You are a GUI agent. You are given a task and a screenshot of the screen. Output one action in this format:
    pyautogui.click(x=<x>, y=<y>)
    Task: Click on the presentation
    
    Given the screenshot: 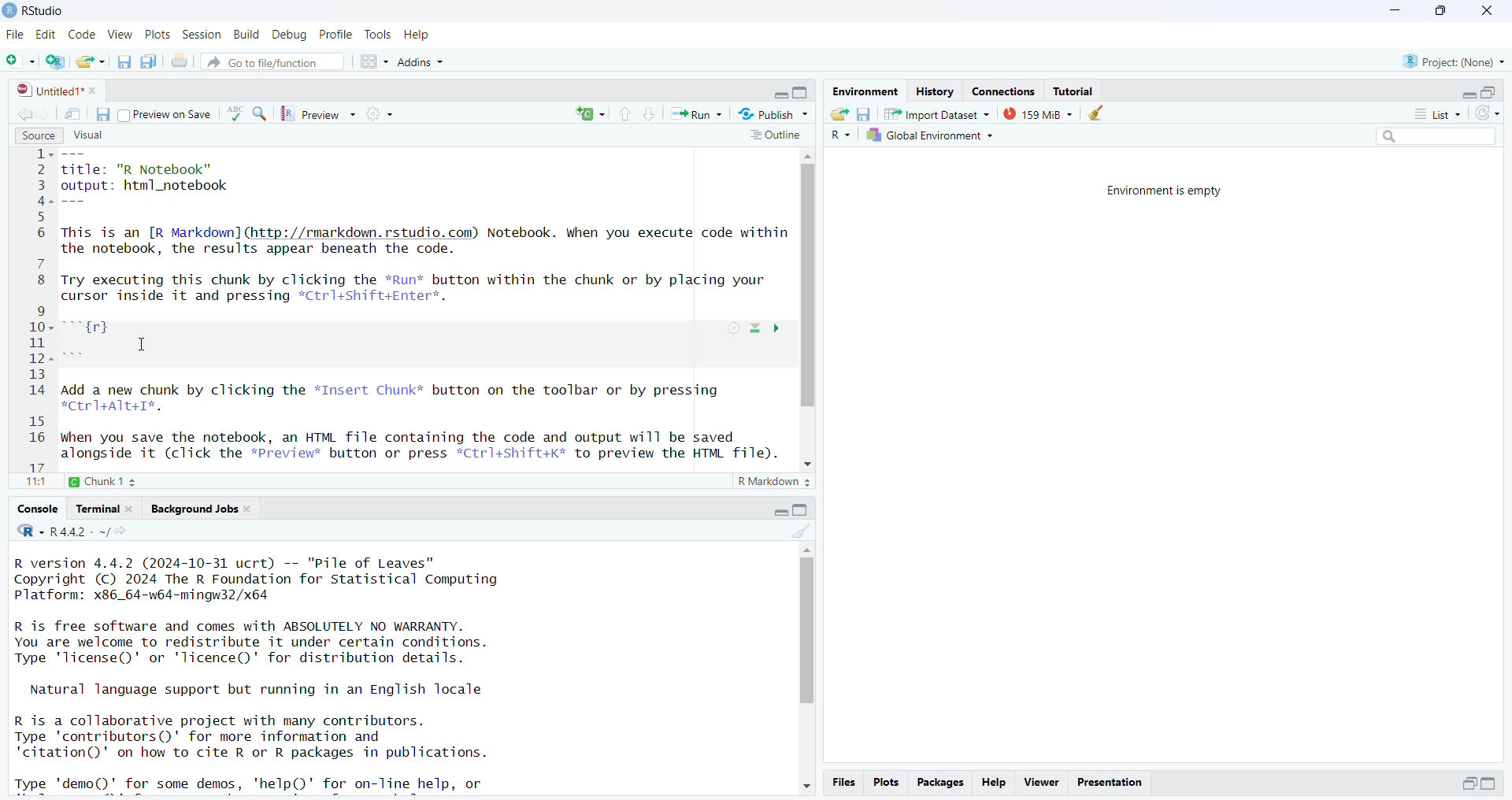 What is the action you would take?
    pyautogui.click(x=1110, y=781)
    